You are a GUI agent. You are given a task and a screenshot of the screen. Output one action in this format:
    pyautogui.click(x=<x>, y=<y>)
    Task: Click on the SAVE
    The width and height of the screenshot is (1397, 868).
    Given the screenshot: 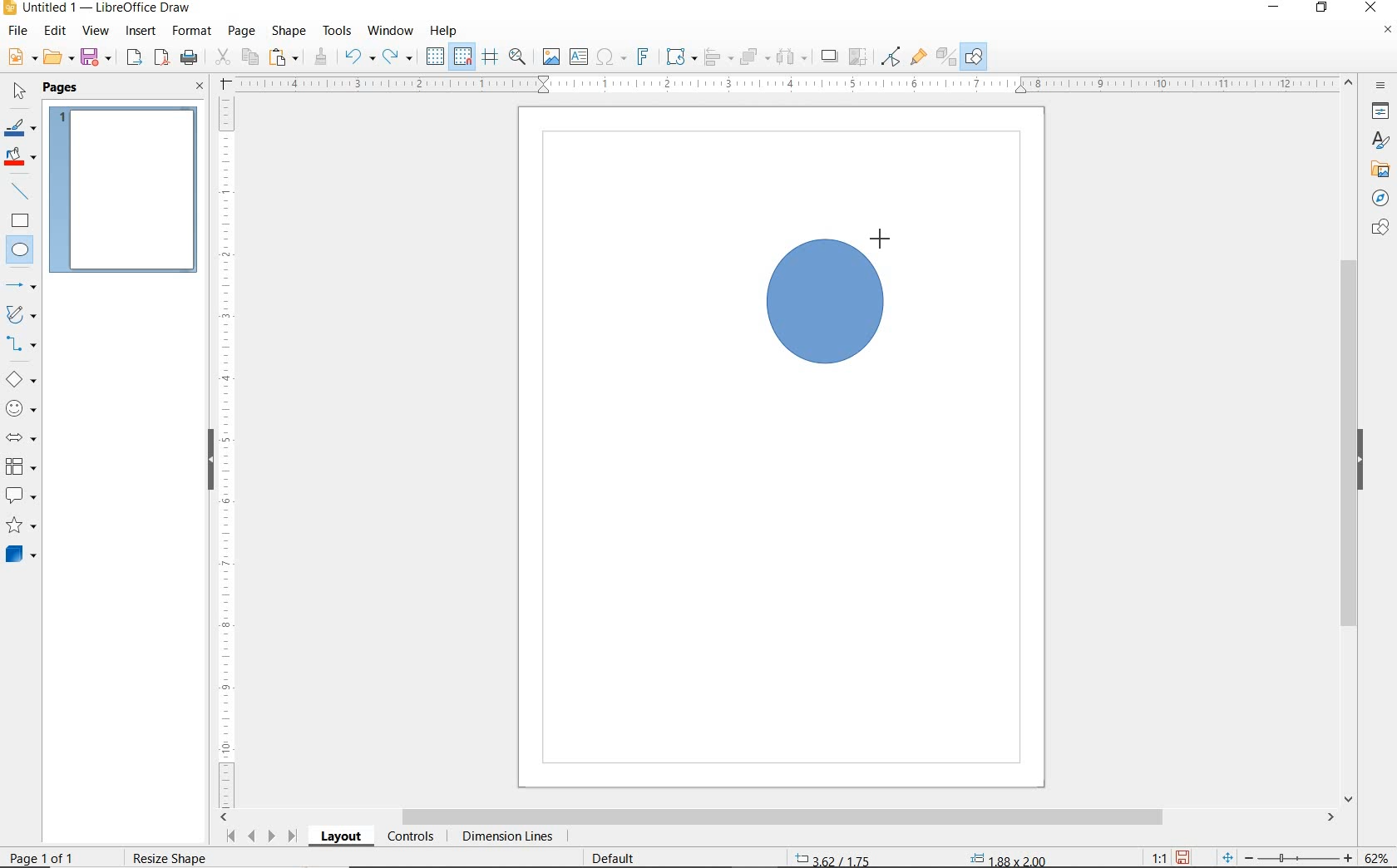 What is the action you would take?
    pyautogui.click(x=98, y=57)
    